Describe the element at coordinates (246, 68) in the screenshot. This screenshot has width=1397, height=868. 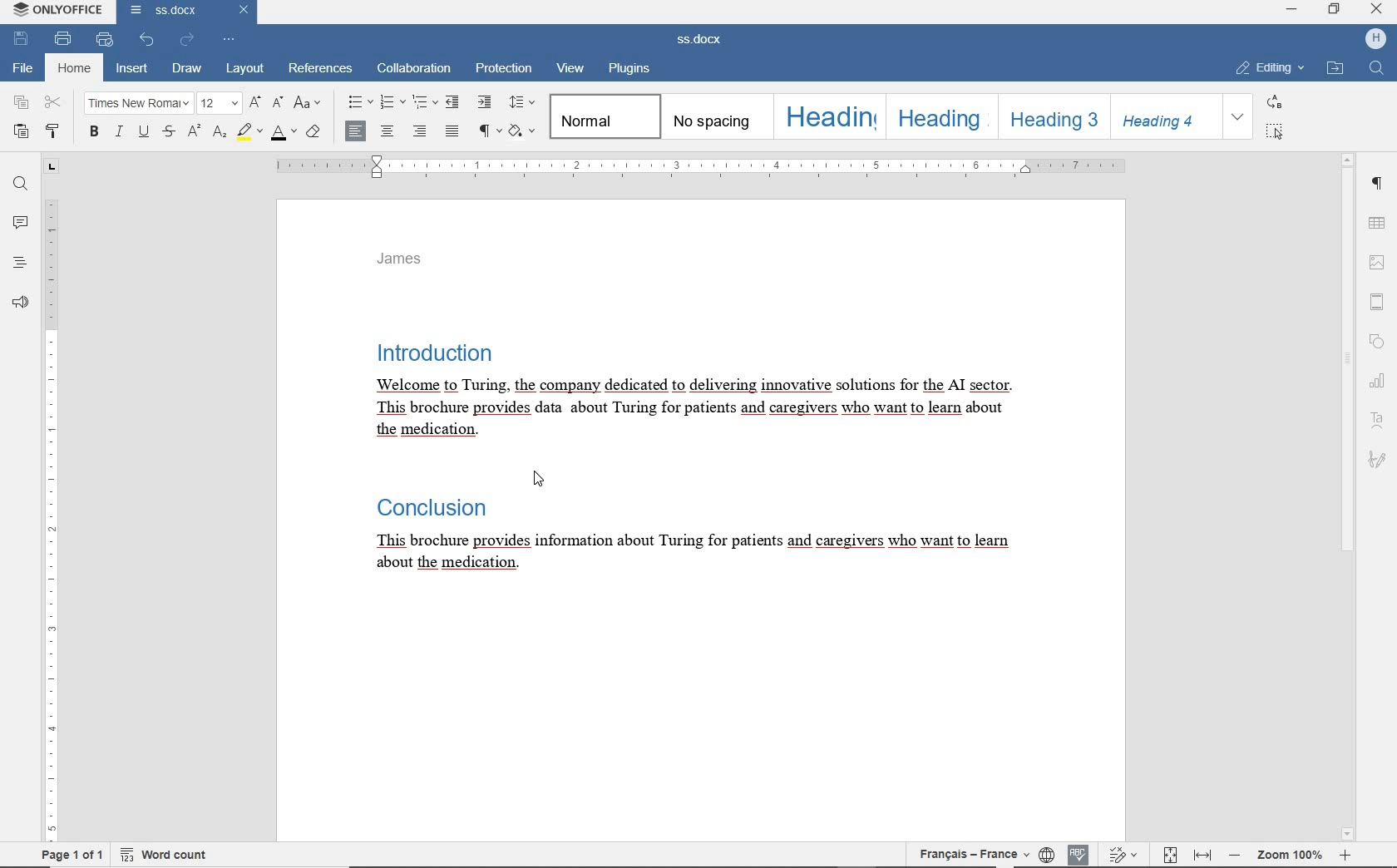
I see `LAYOUT` at that location.